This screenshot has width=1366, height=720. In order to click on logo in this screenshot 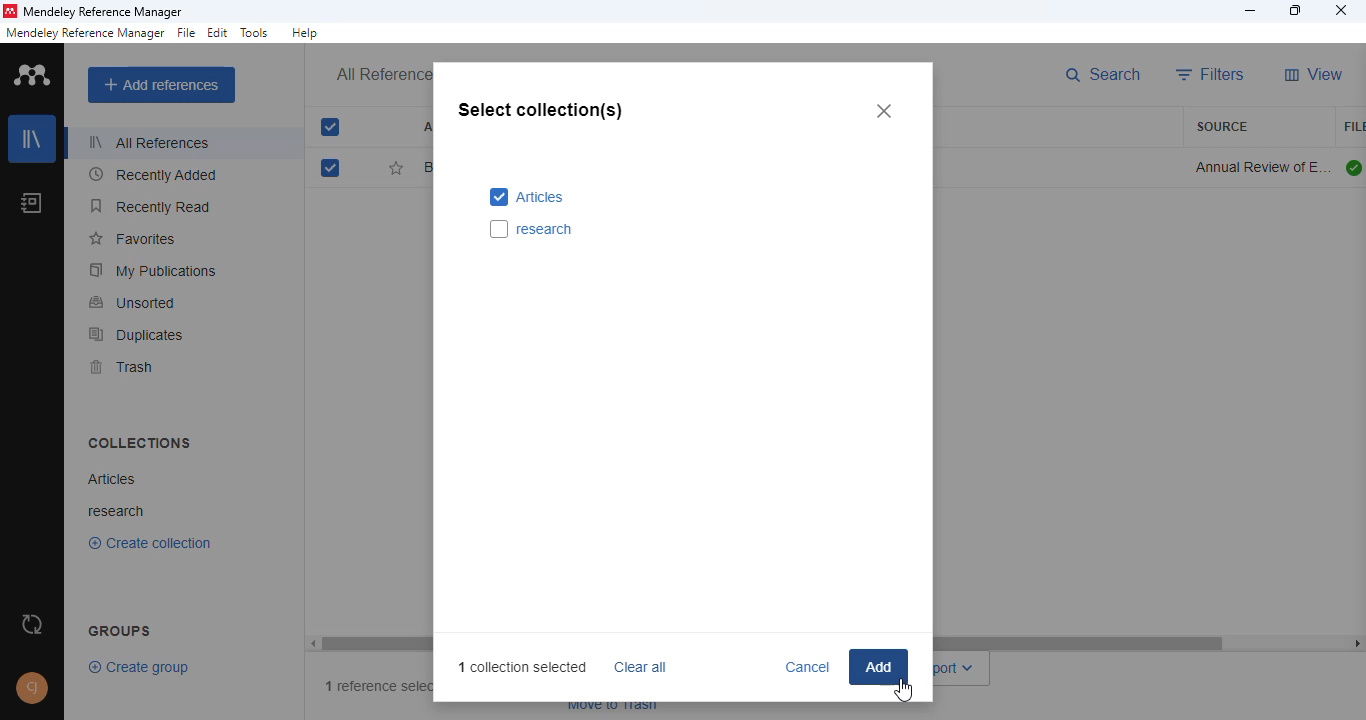, I will do `click(33, 75)`.